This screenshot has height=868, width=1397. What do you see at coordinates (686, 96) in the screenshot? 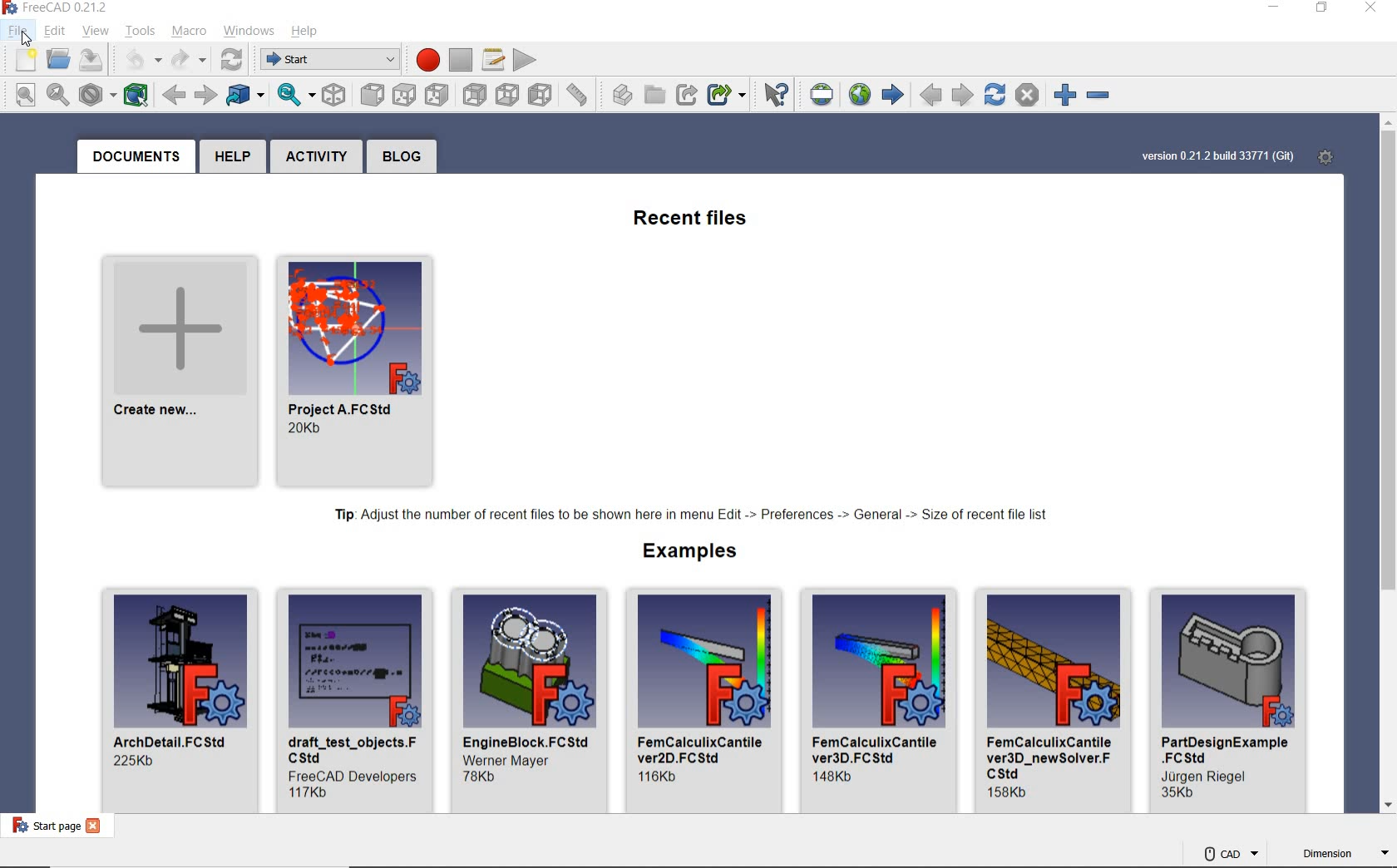
I see `MAKE LINK` at bounding box center [686, 96].